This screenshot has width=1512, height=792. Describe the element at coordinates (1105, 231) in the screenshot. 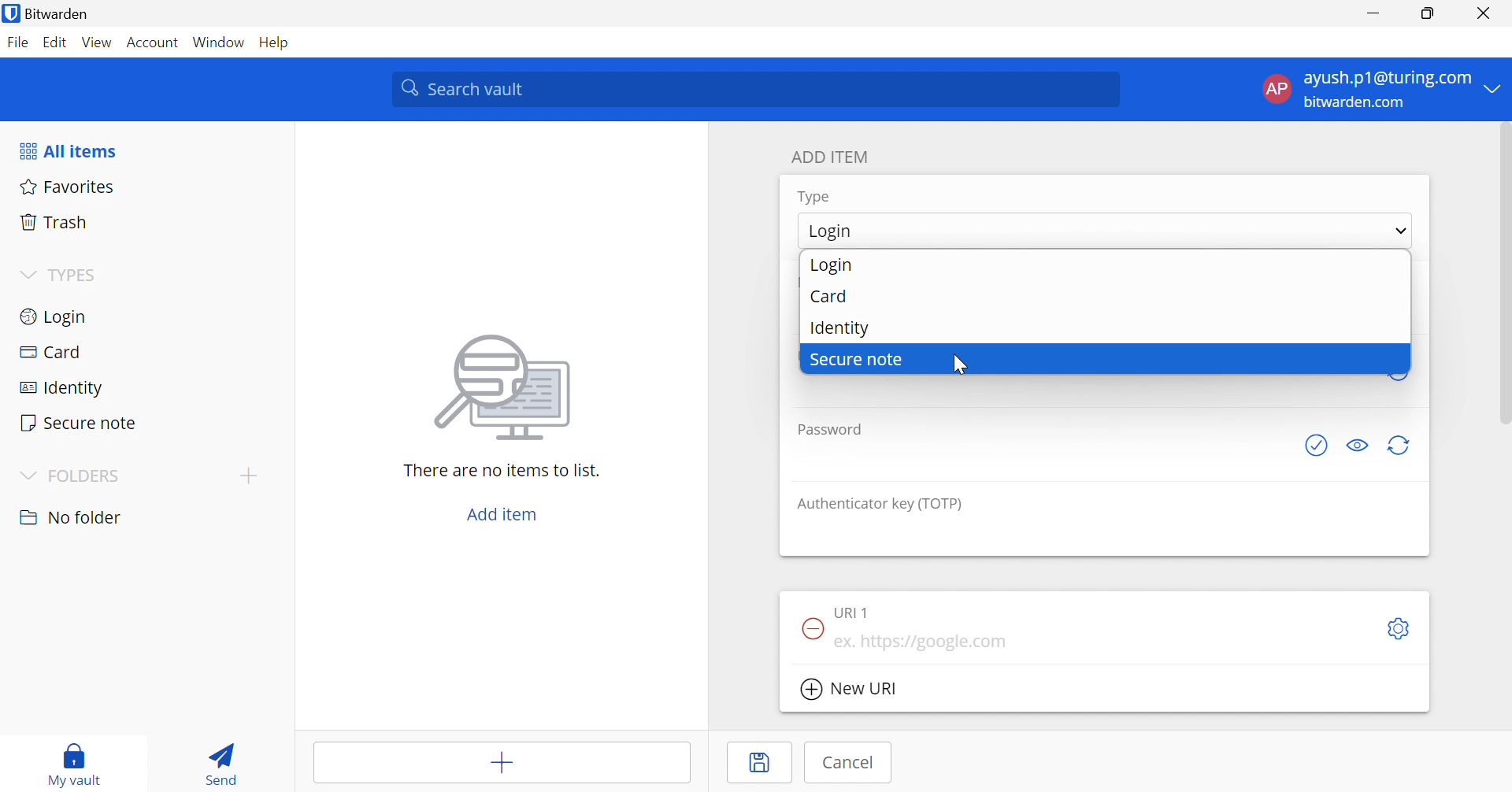

I see `Login` at that location.